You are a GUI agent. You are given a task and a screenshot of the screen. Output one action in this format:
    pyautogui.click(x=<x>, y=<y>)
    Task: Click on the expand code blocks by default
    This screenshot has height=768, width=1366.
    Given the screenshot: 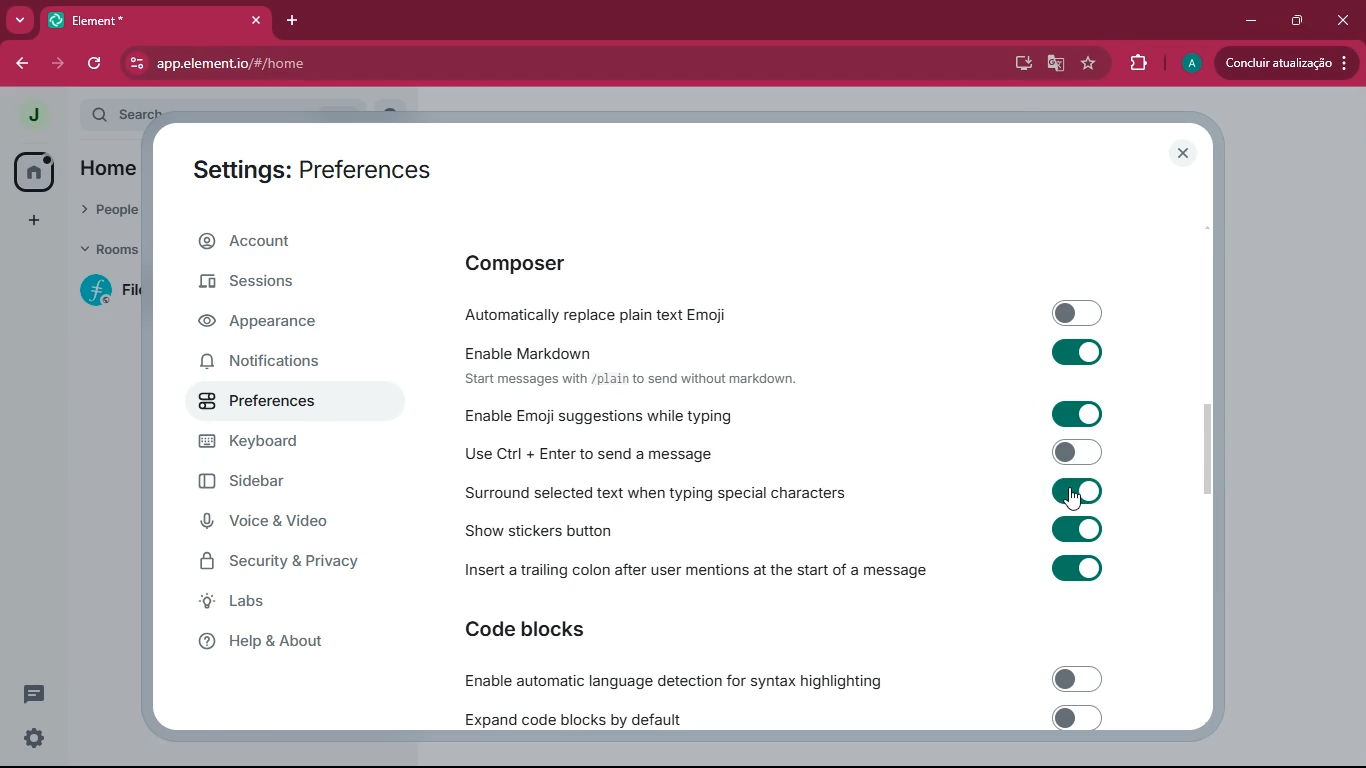 What is the action you would take?
    pyautogui.click(x=776, y=718)
    